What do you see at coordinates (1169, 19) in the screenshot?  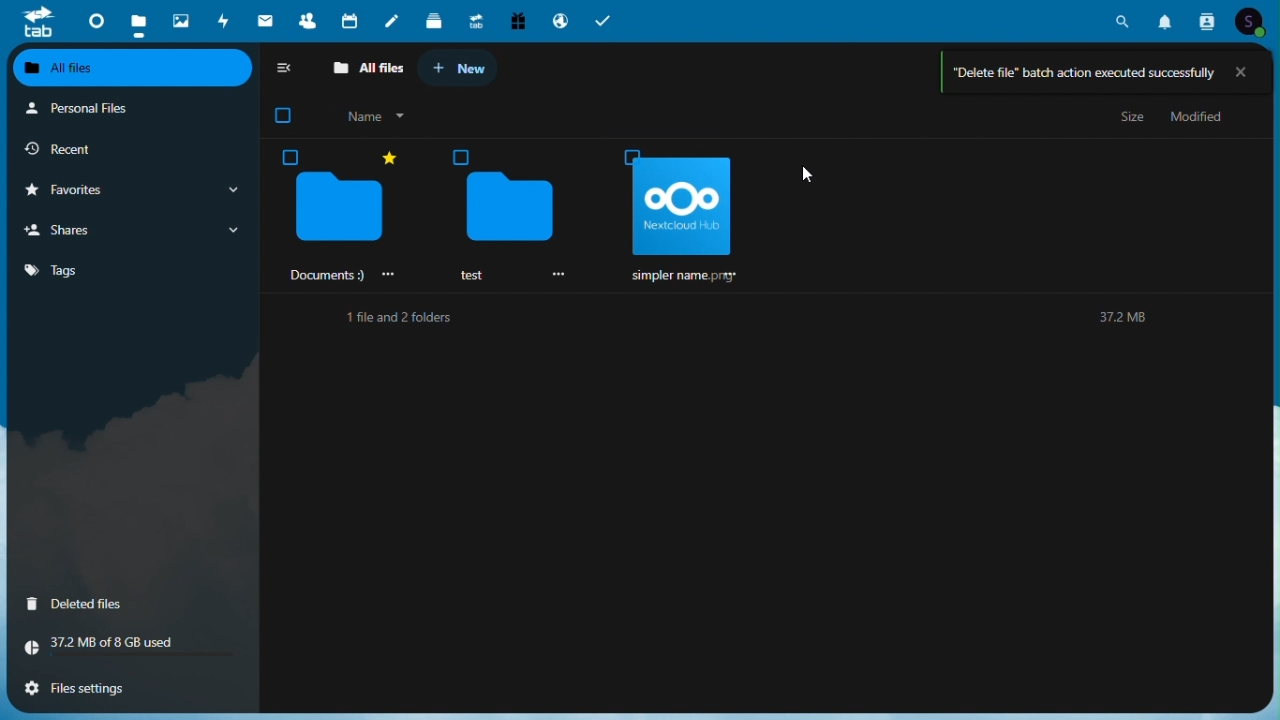 I see `notifications` at bounding box center [1169, 19].